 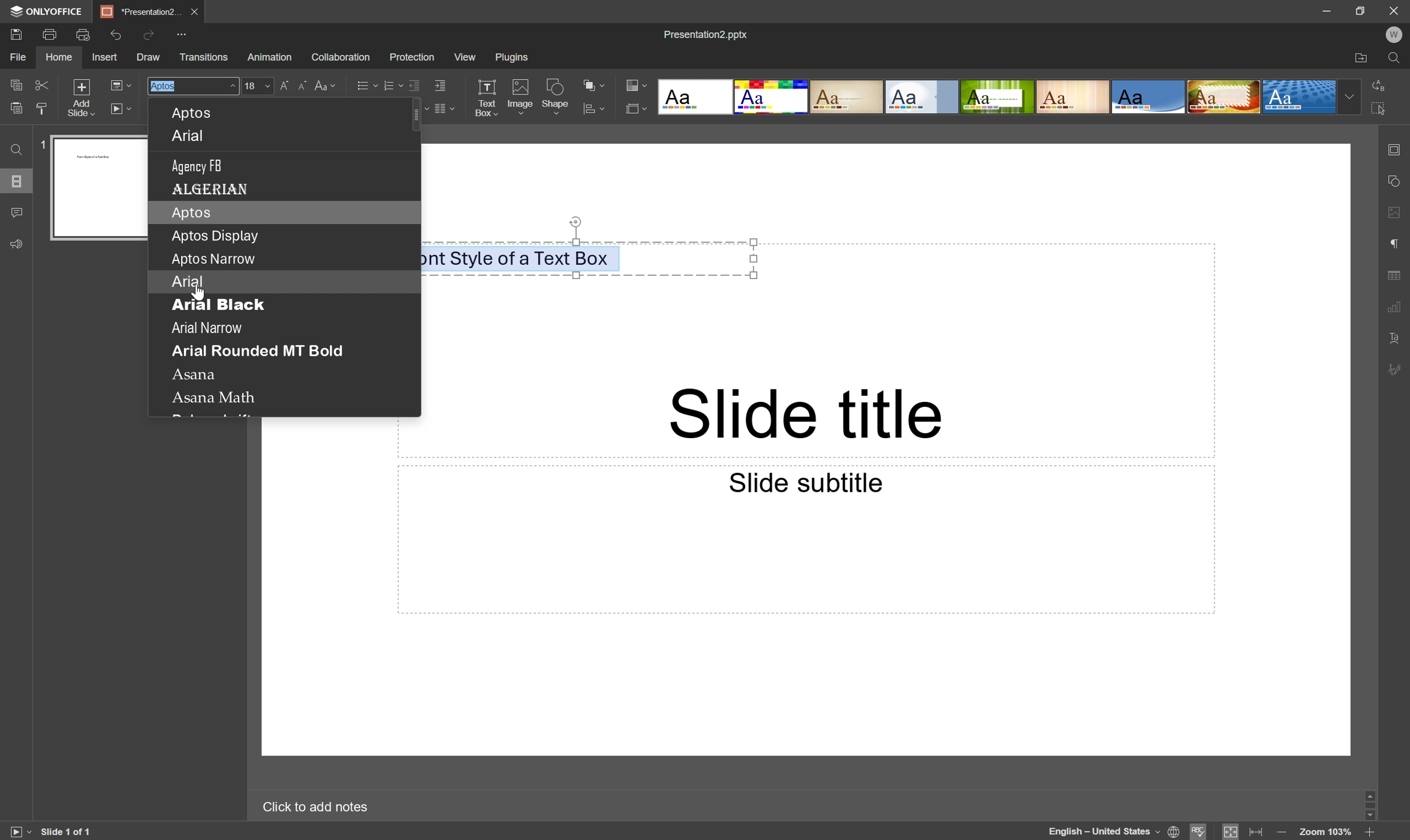 What do you see at coordinates (81, 96) in the screenshot?
I see `Add slide` at bounding box center [81, 96].